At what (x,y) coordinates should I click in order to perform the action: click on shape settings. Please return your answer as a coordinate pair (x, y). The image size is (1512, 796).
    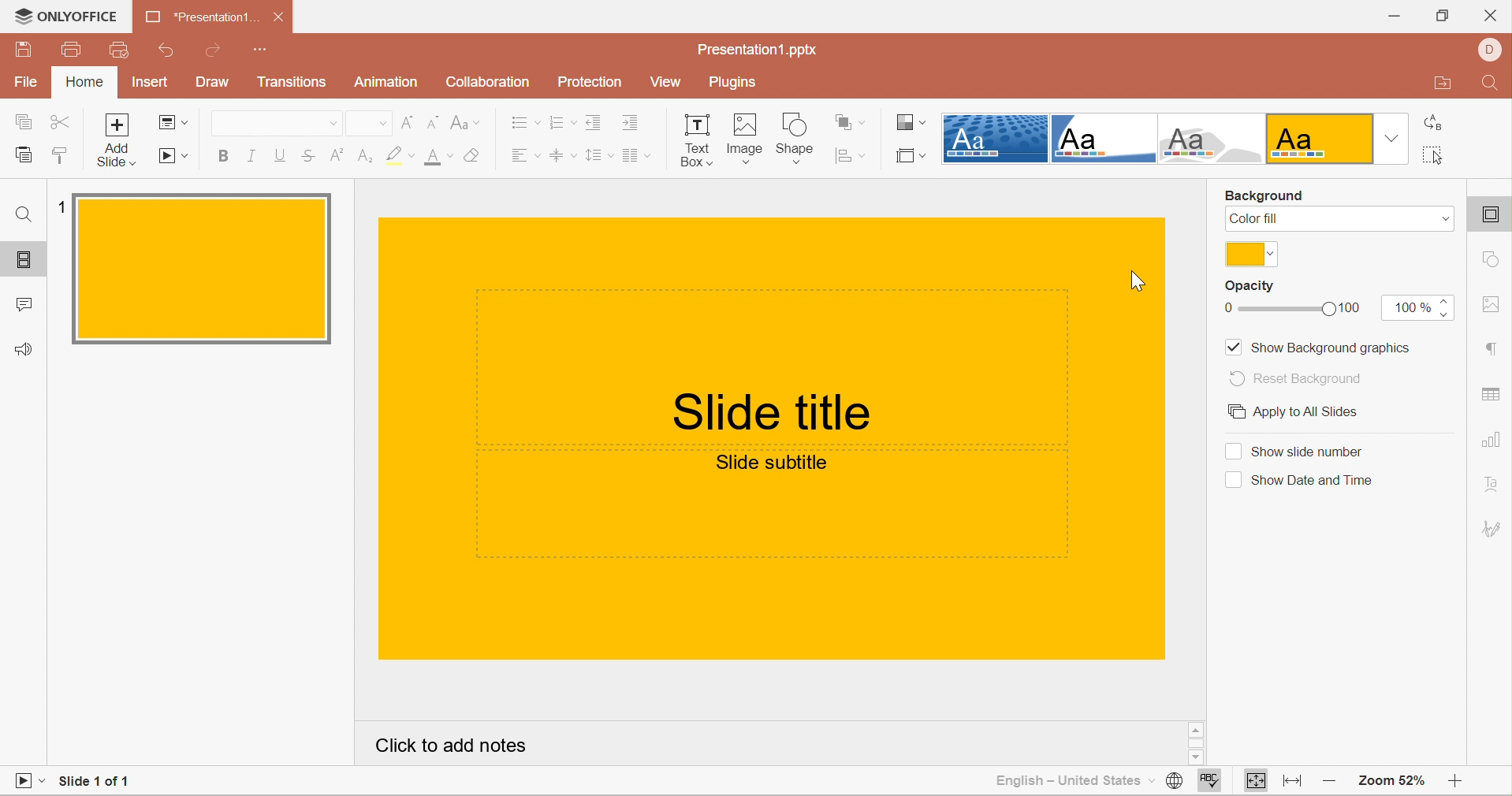
    Looking at the image, I should click on (1495, 262).